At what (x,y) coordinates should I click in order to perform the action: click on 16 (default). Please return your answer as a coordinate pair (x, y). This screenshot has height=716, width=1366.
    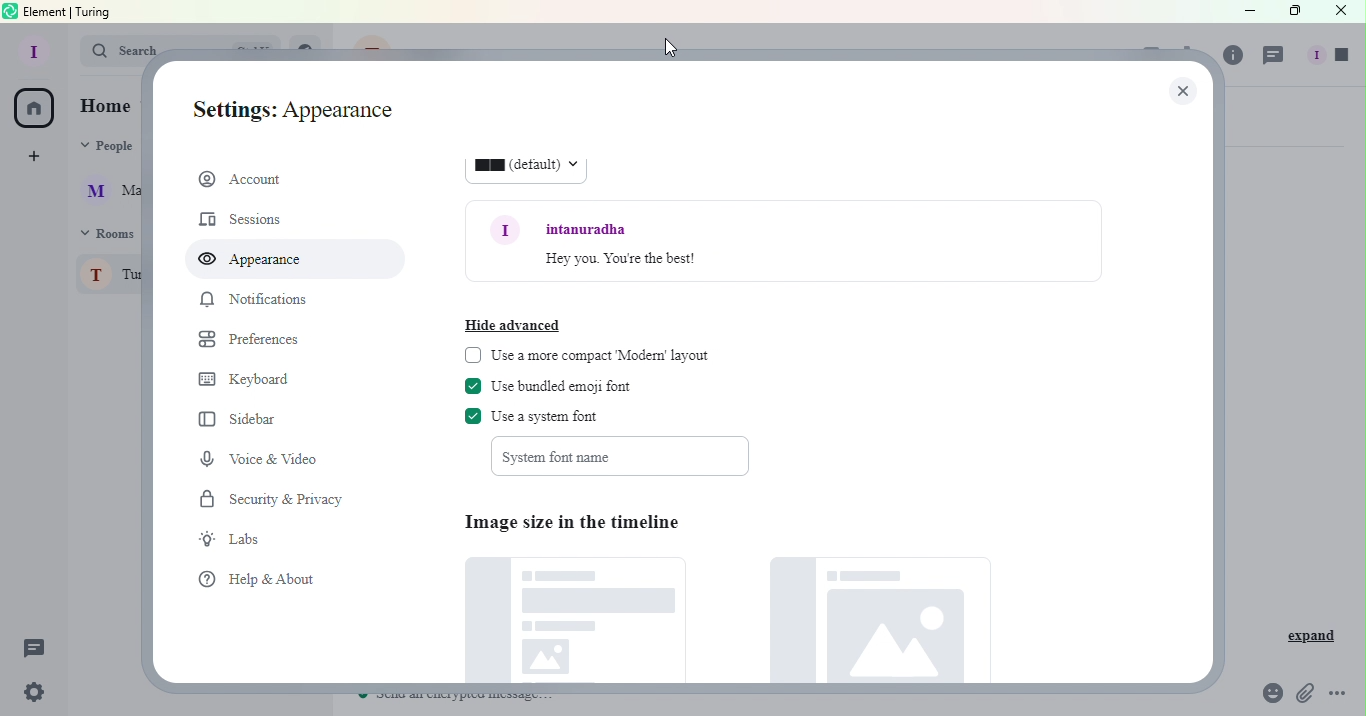
    Looking at the image, I should click on (523, 166).